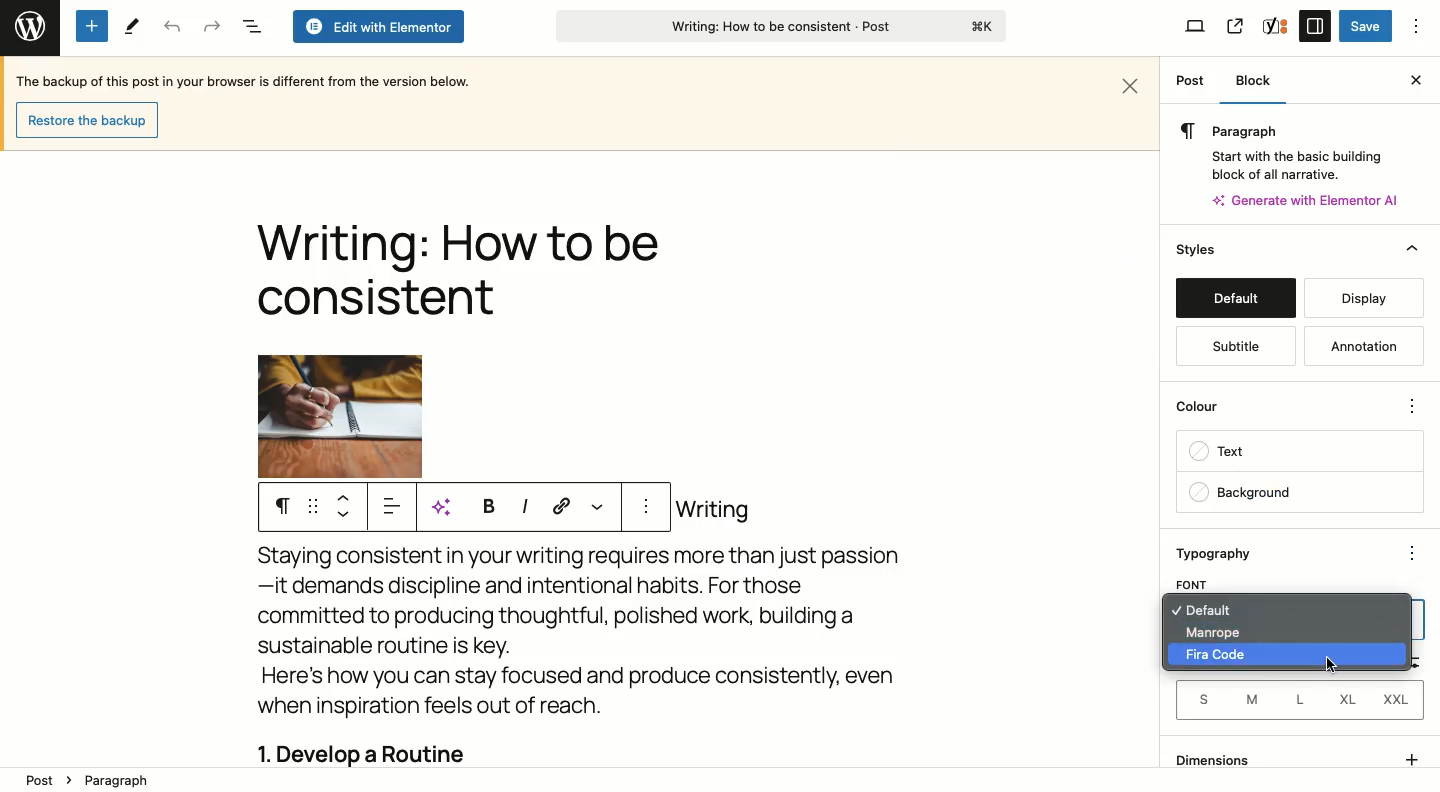 Image resolution: width=1440 pixels, height=792 pixels. Describe the element at coordinates (395, 510) in the screenshot. I see `Align` at that location.